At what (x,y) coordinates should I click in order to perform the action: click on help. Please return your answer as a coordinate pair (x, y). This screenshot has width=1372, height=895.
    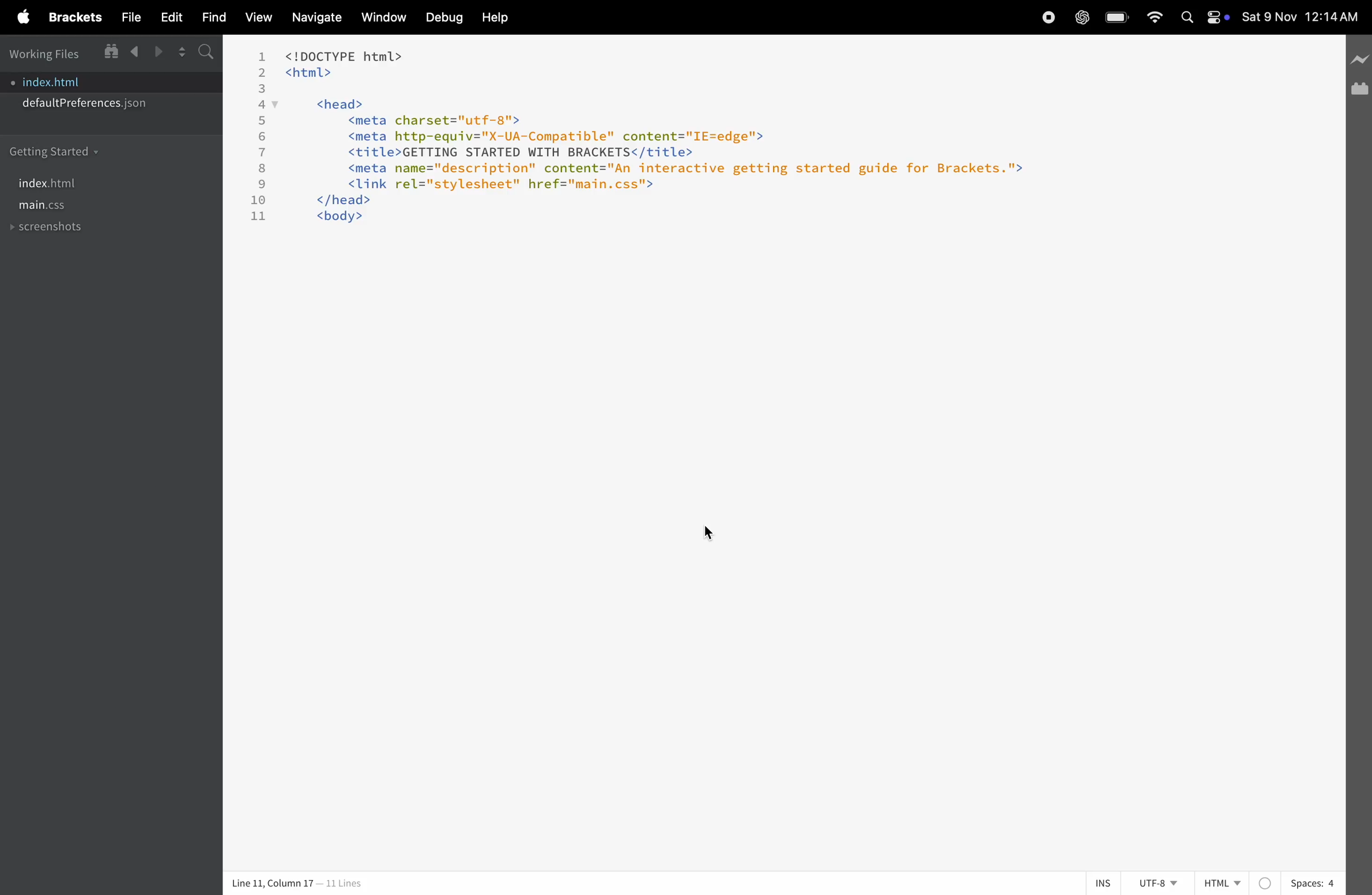
    Looking at the image, I should click on (499, 16).